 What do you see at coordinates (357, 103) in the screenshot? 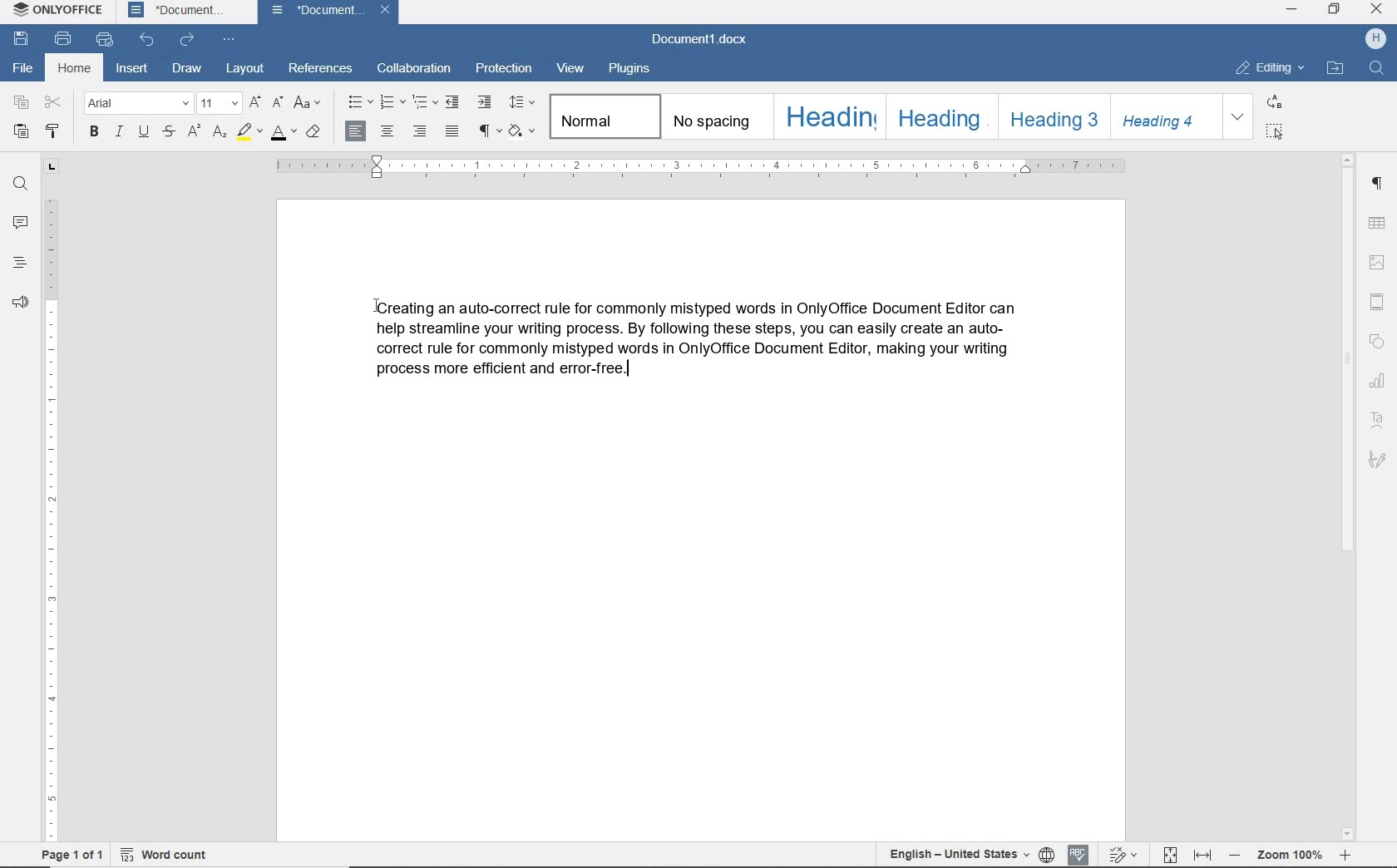
I see `bullets` at bounding box center [357, 103].